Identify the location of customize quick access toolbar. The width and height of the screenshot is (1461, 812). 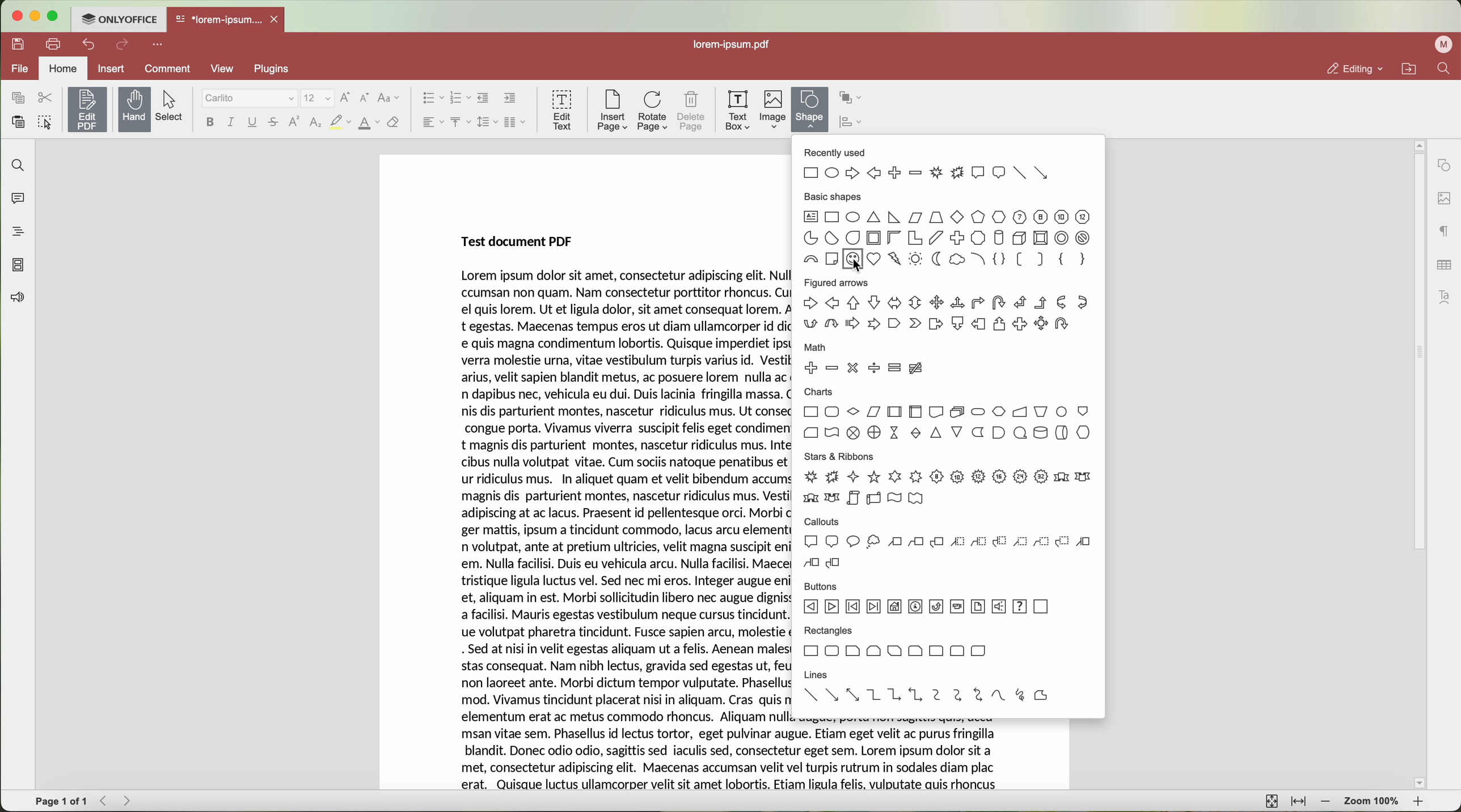
(160, 45).